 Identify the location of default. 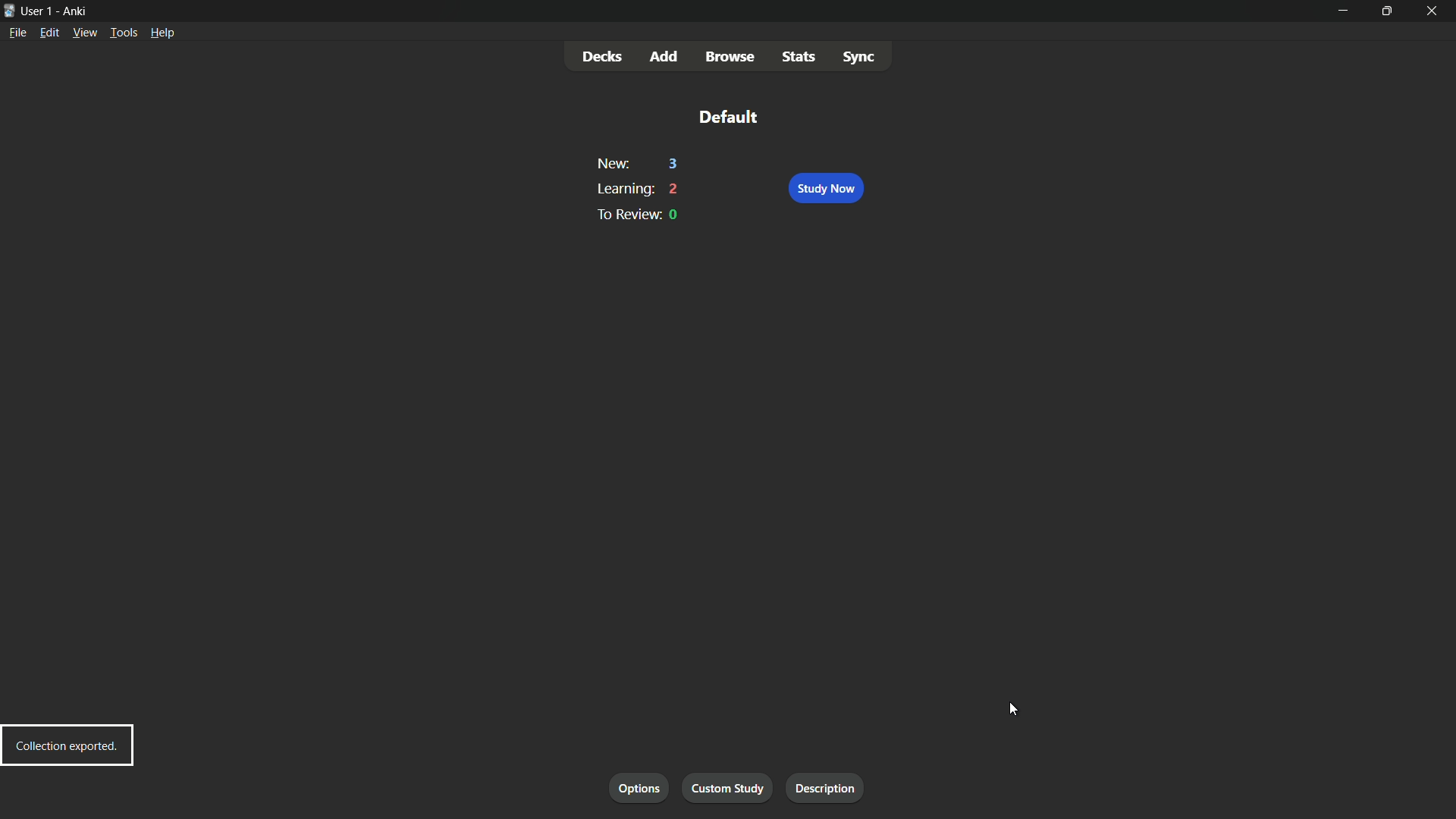
(727, 116).